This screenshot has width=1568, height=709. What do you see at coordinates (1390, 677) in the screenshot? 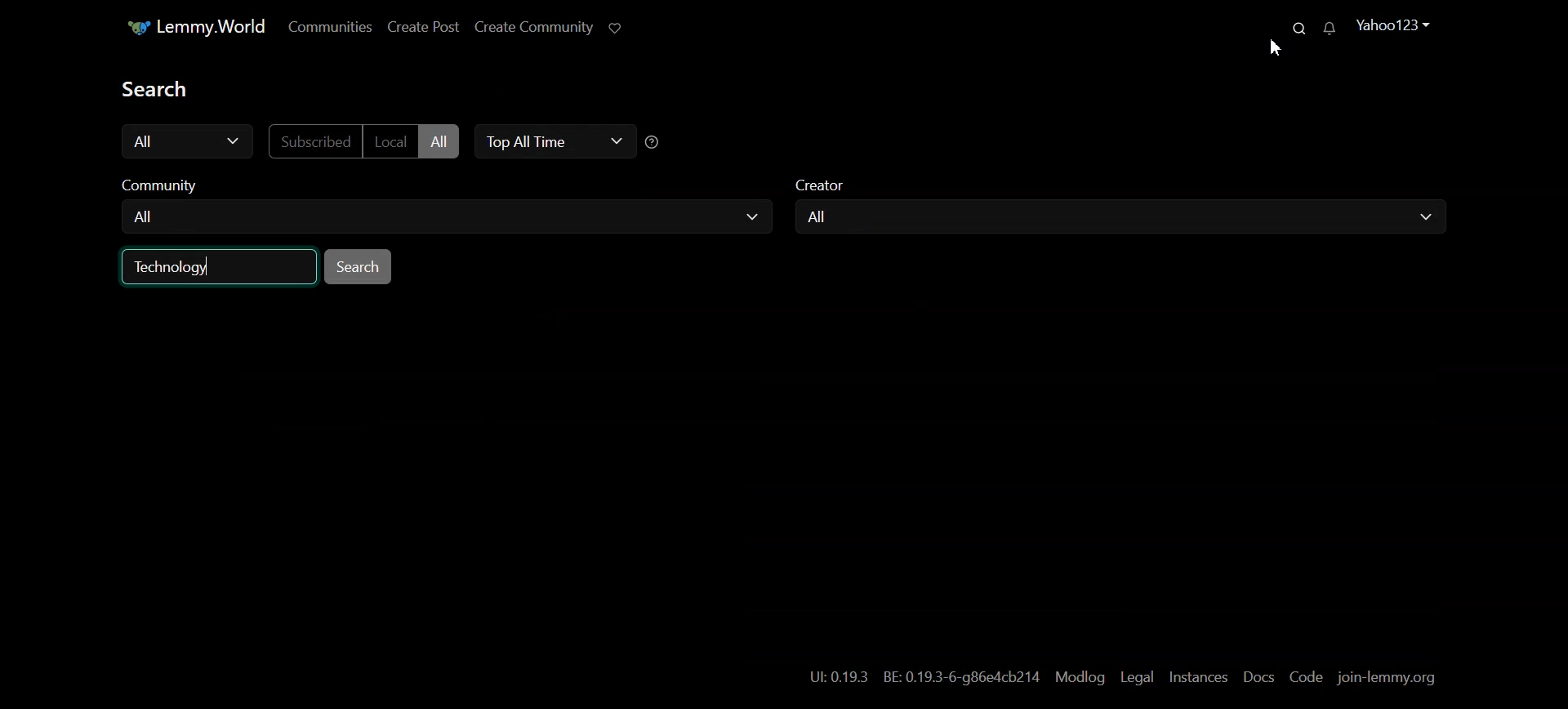
I see `join-lemmy.org` at bounding box center [1390, 677].